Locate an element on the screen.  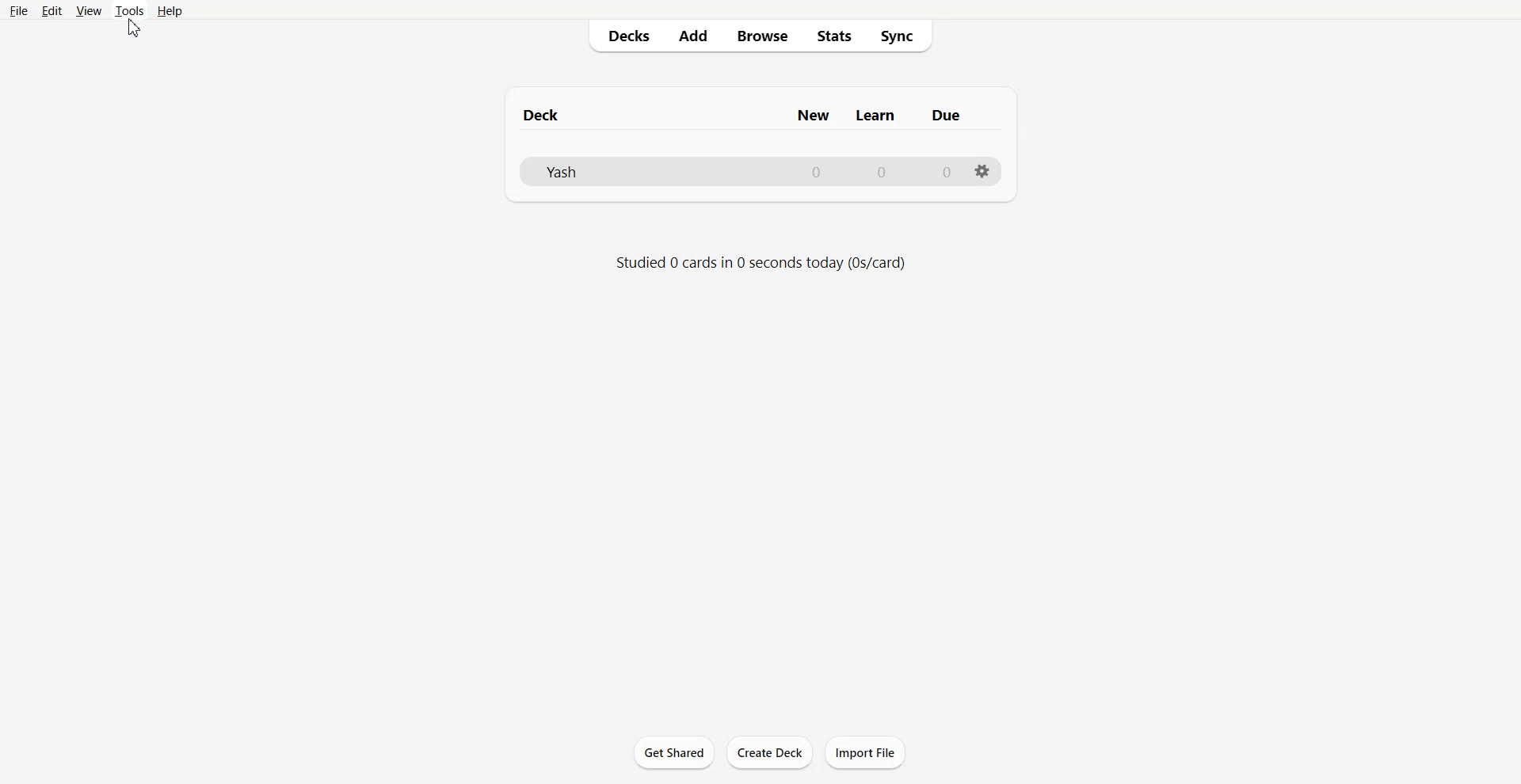
Create Deck is located at coordinates (771, 752).